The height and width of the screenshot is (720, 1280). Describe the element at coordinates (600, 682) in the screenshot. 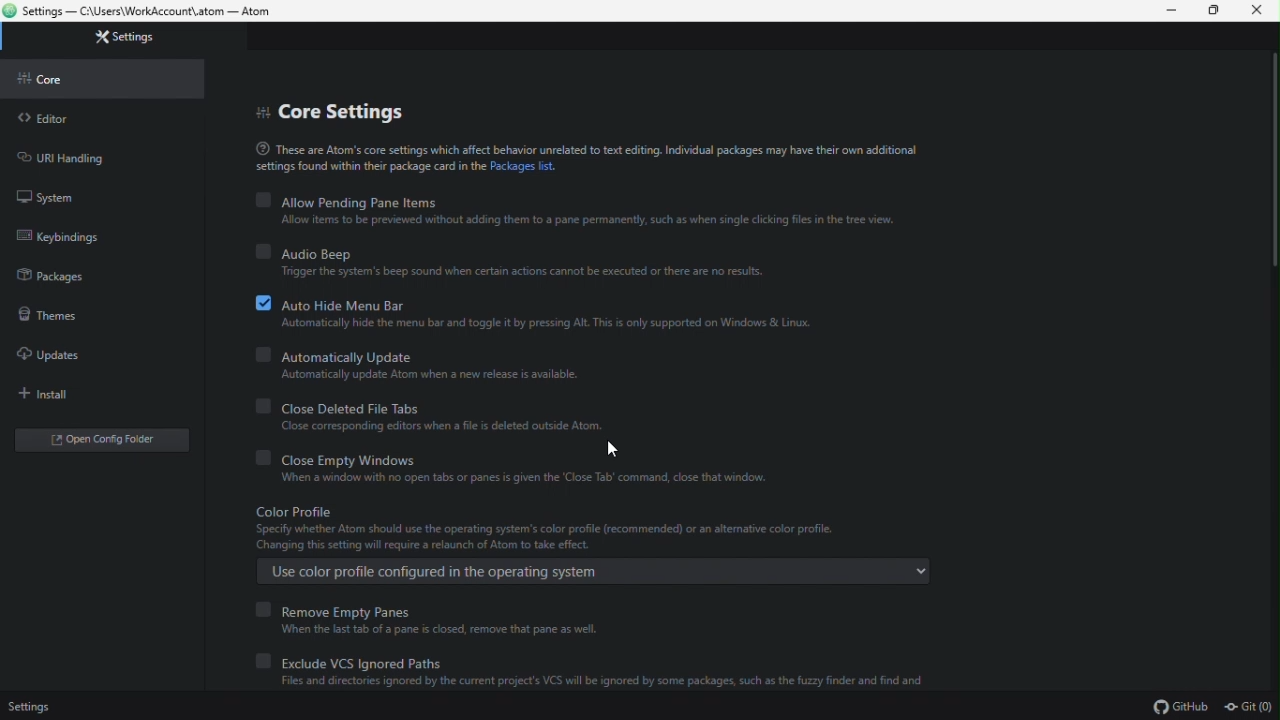

I see `Files and directories ignored by the current project's VCS wil be ignored by some packages, such as the fuzzy finder and find and` at that location.